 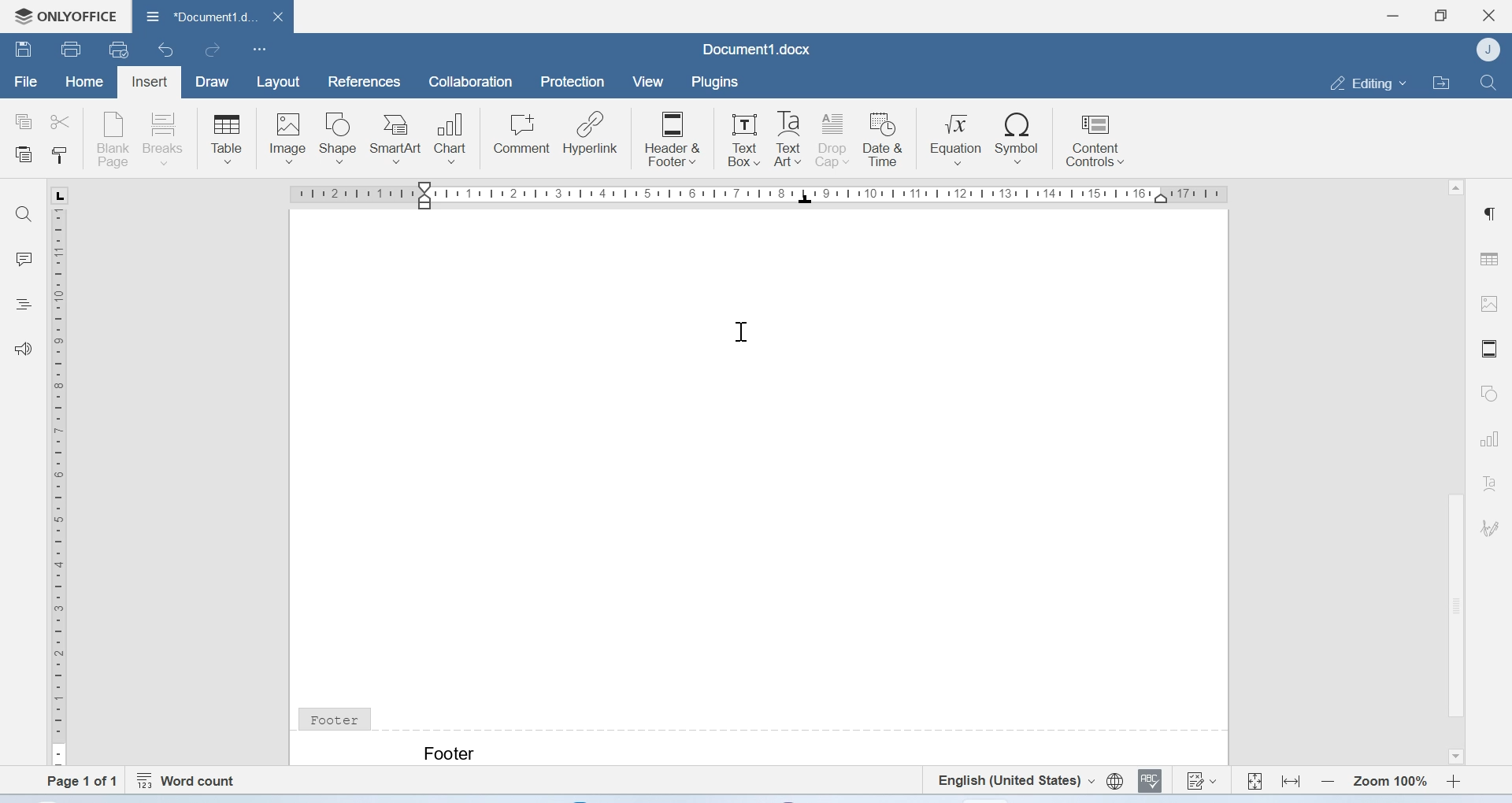 What do you see at coordinates (1290, 779) in the screenshot?
I see `Fit to width` at bounding box center [1290, 779].